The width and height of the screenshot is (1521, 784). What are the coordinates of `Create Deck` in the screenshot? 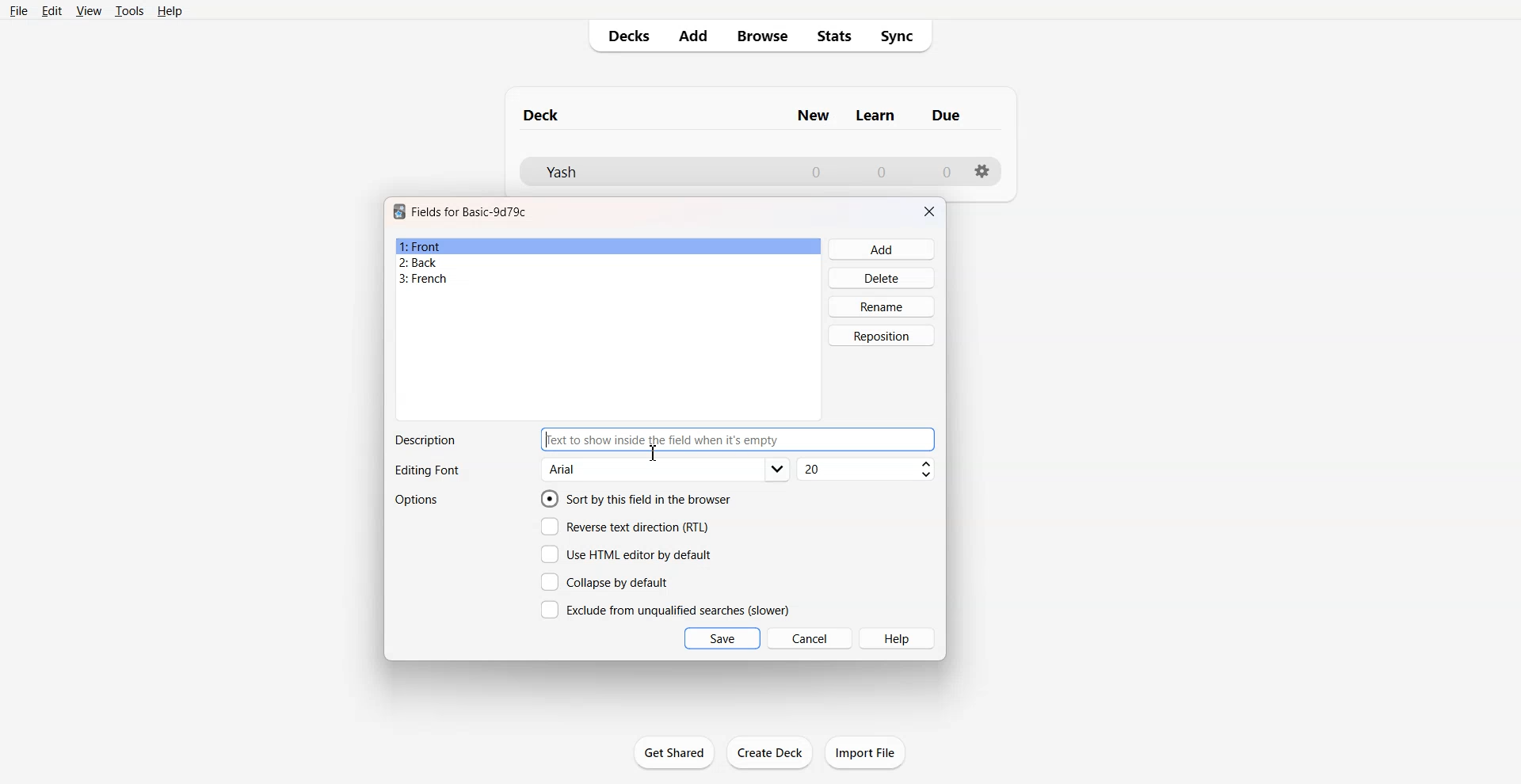 It's located at (771, 752).